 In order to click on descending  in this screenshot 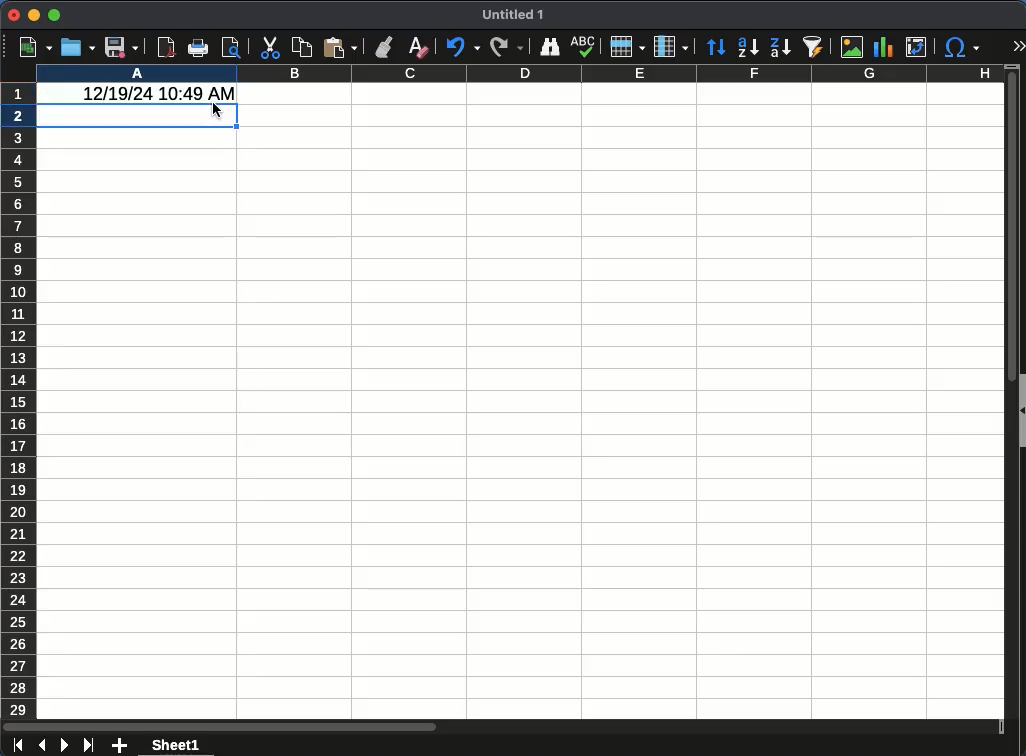, I will do `click(780, 49)`.